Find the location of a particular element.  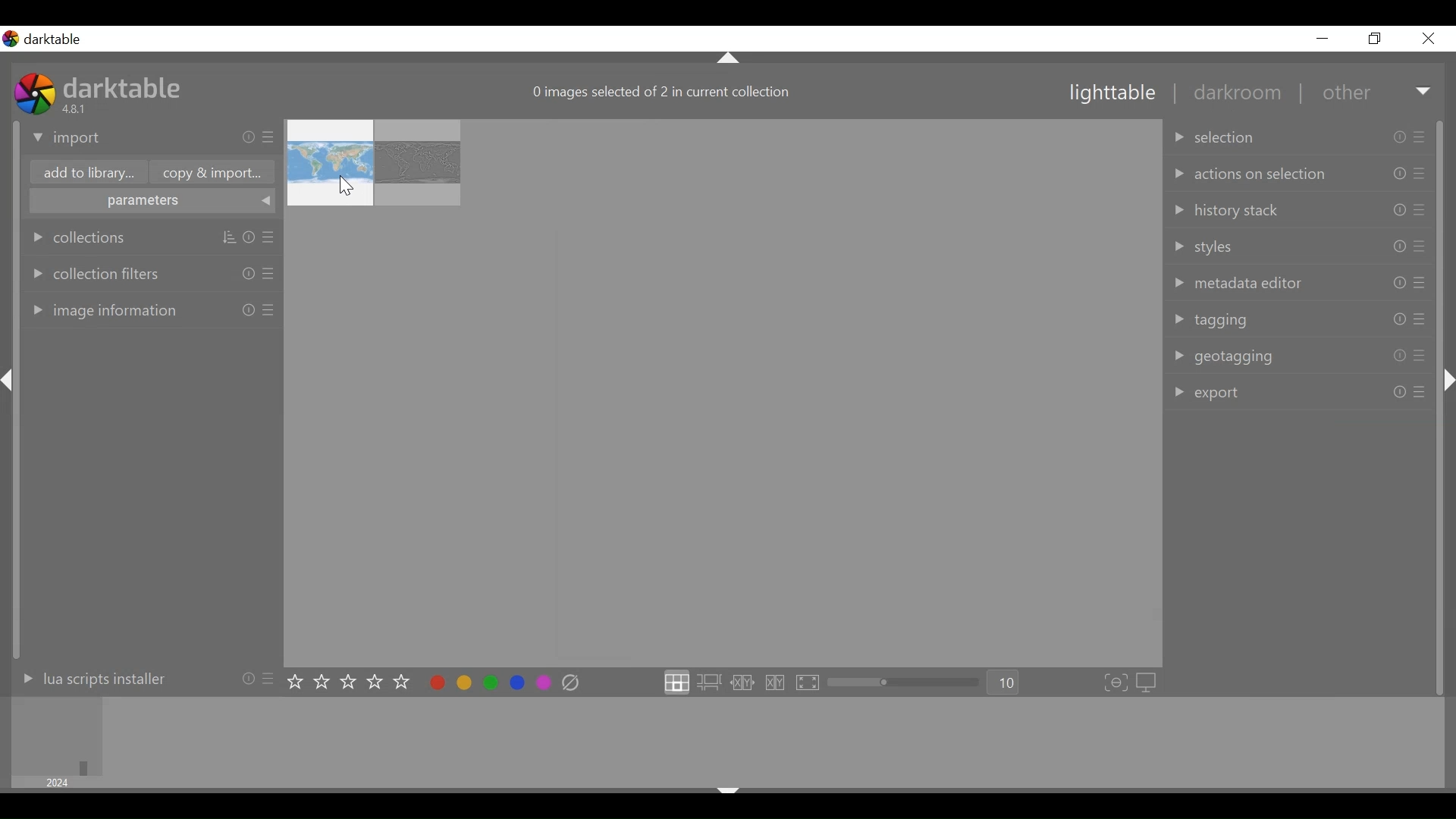

set star setting is located at coordinates (347, 682).